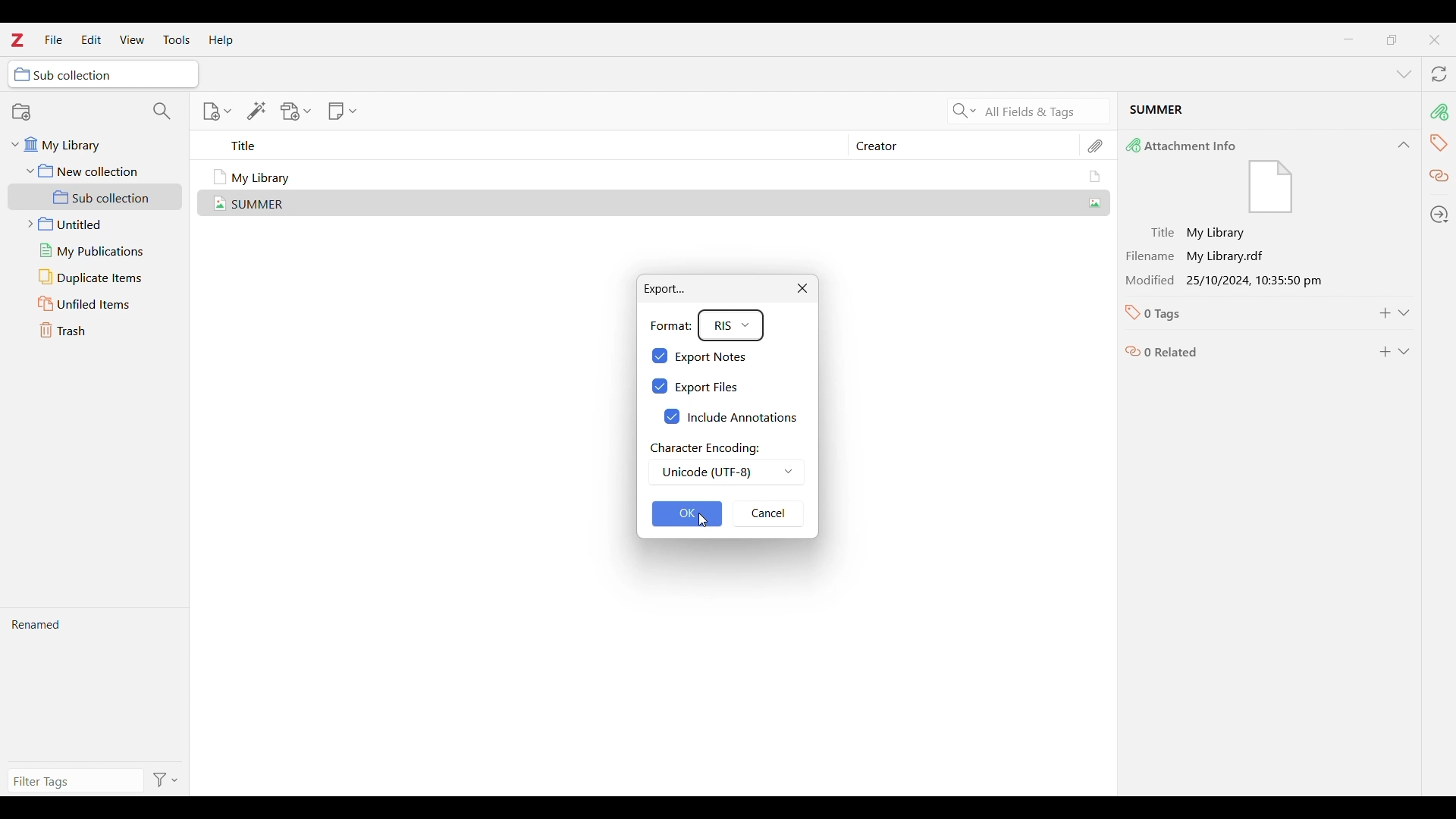 The width and height of the screenshot is (1456, 819). I want to click on Expand, so click(1404, 313).